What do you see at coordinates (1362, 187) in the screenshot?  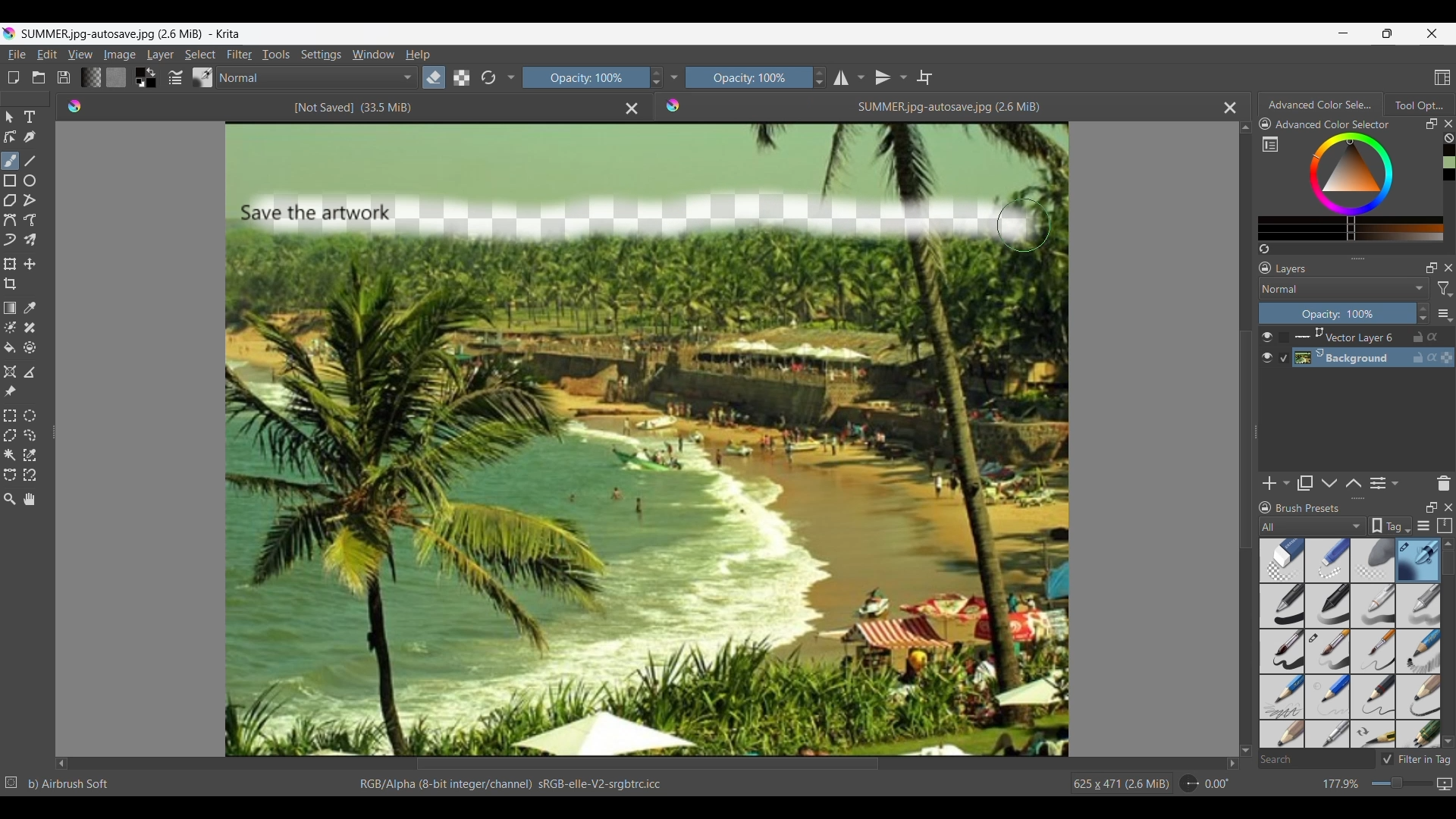 I see `Color selection range` at bounding box center [1362, 187].